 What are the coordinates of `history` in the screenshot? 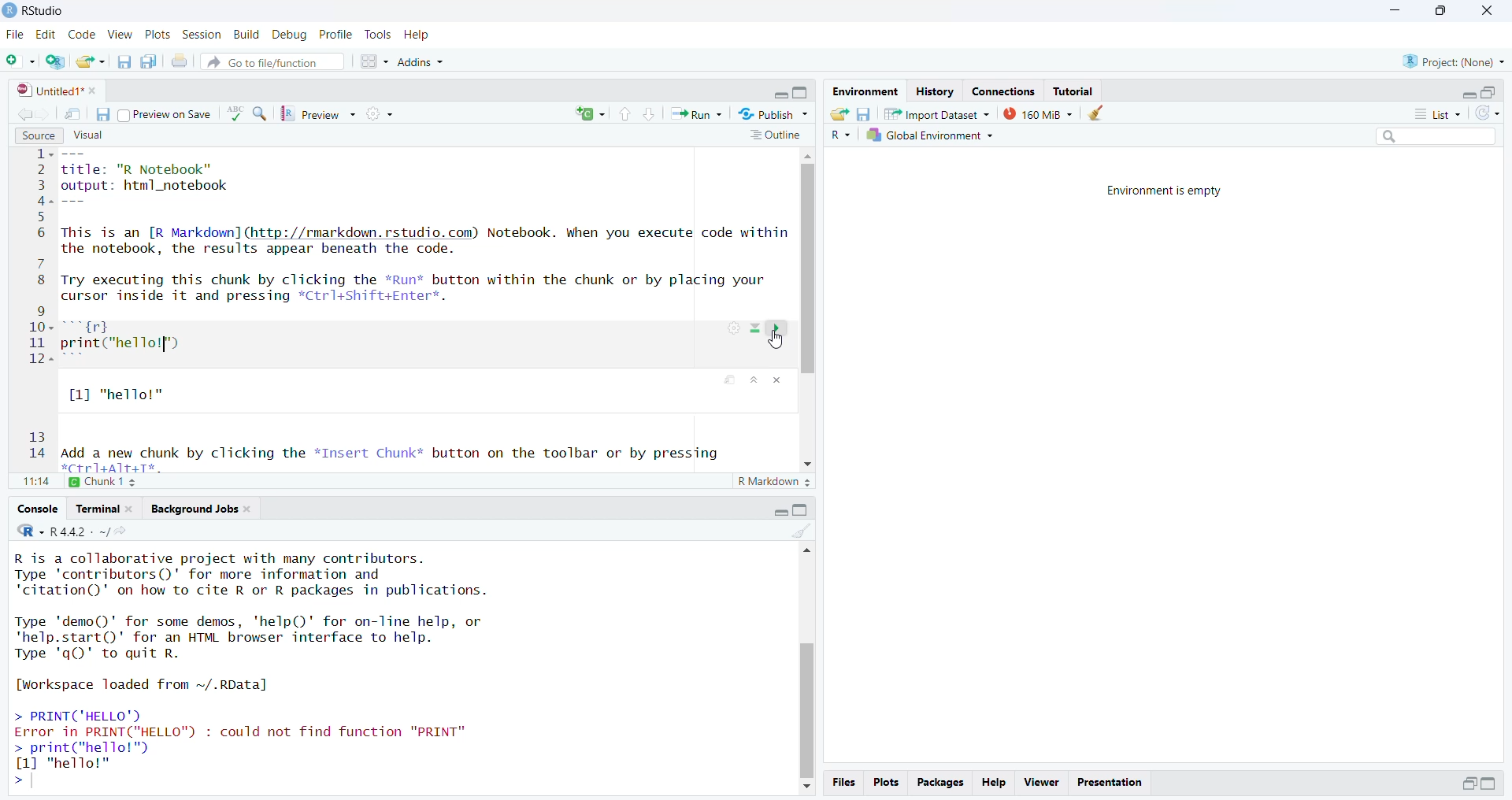 It's located at (934, 92).